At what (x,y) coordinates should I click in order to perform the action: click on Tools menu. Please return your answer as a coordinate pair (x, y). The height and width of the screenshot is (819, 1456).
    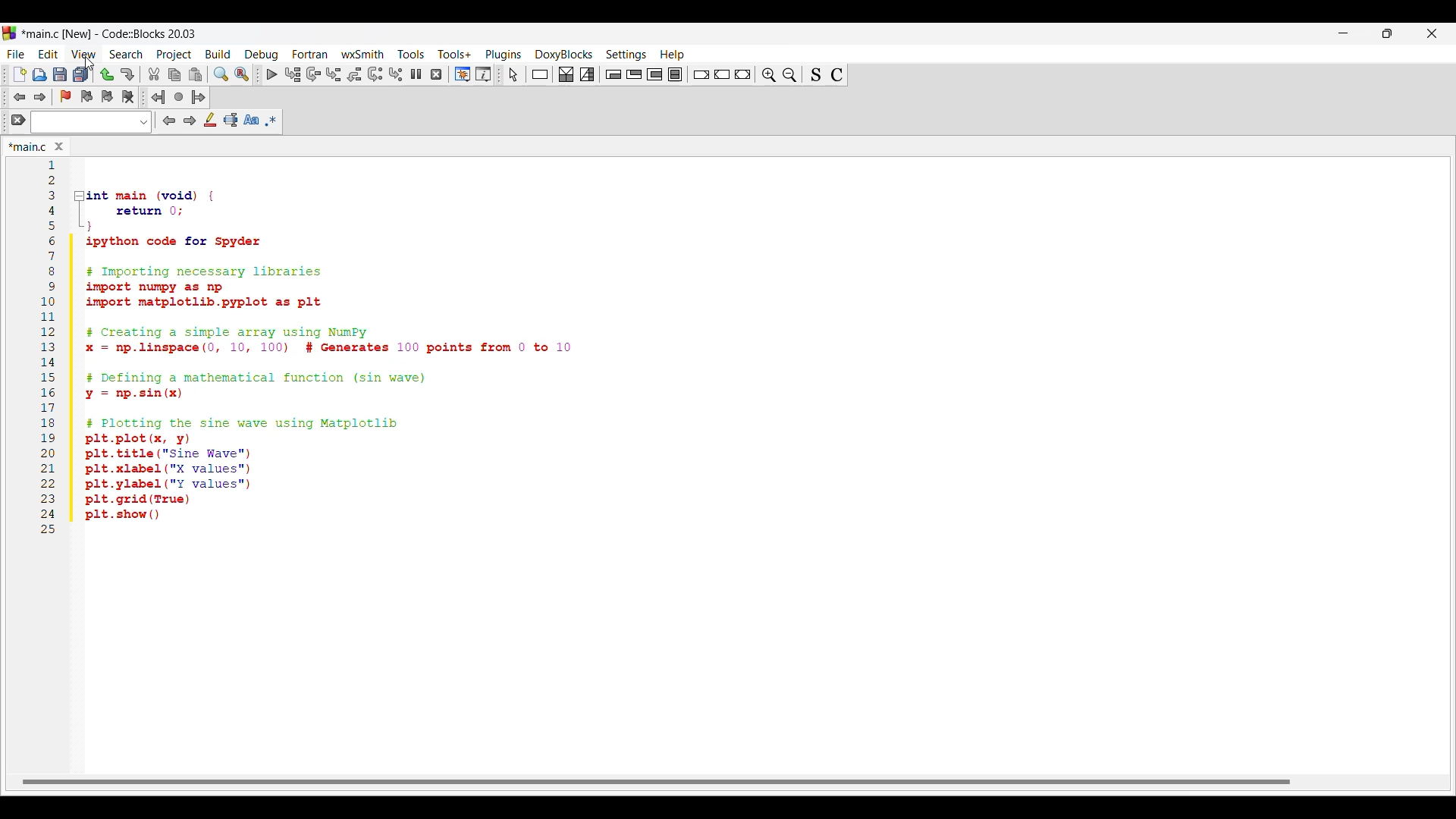
    Looking at the image, I should click on (411, 54).